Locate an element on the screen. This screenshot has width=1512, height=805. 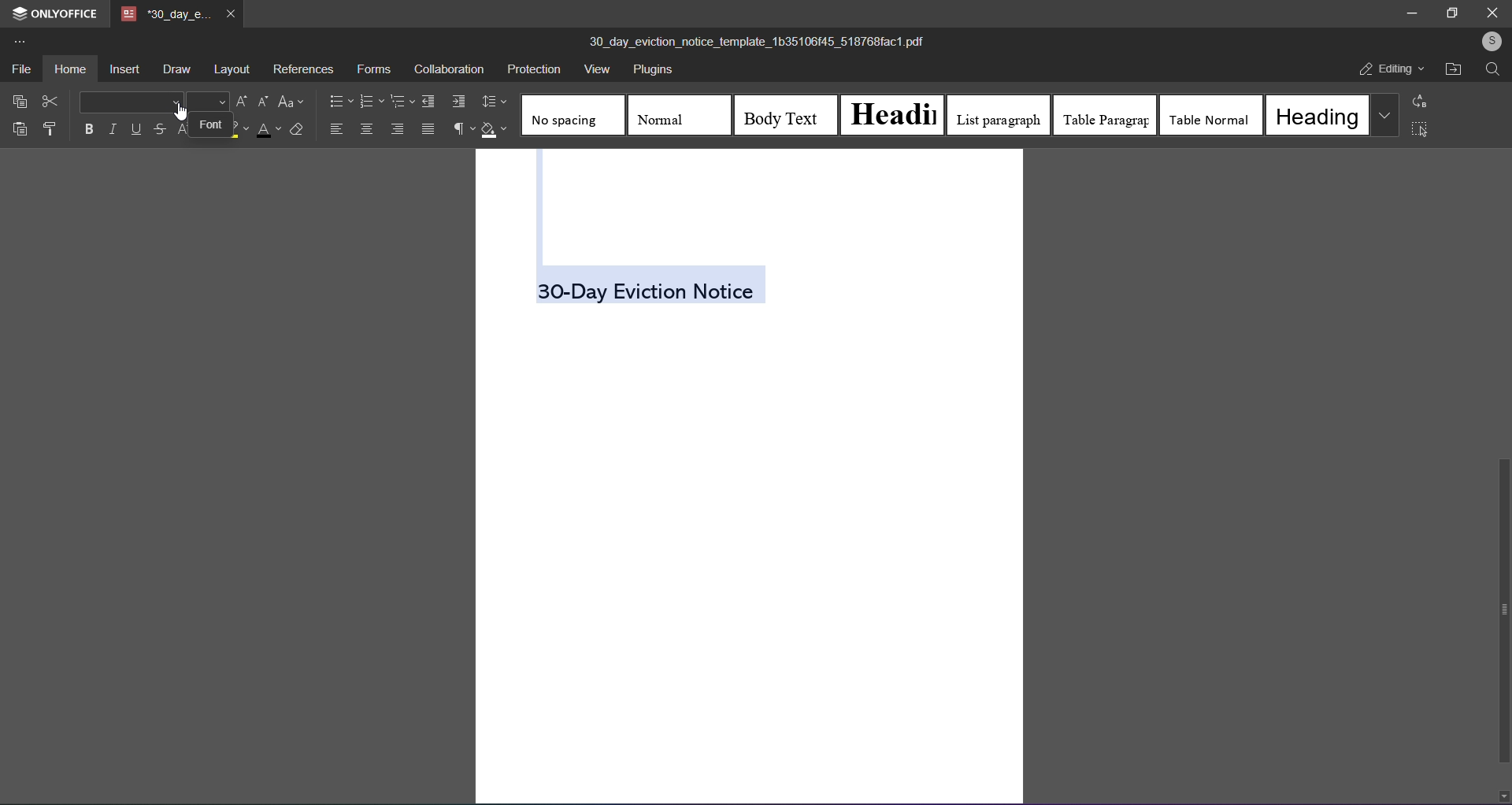
close is located at coordinates (1493, 13).